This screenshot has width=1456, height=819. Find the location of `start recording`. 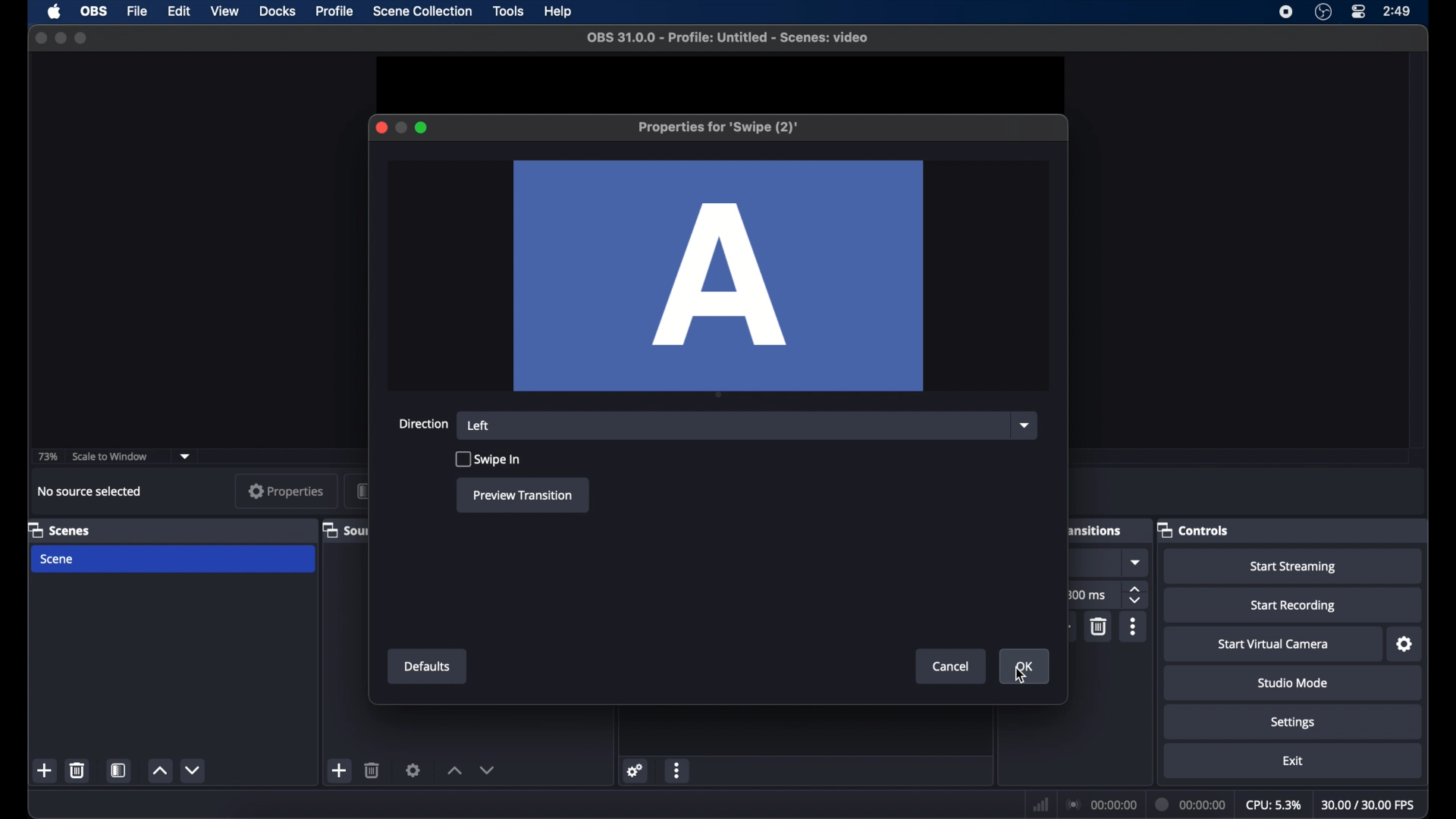

start recording is located at coordinates (1293, 606).